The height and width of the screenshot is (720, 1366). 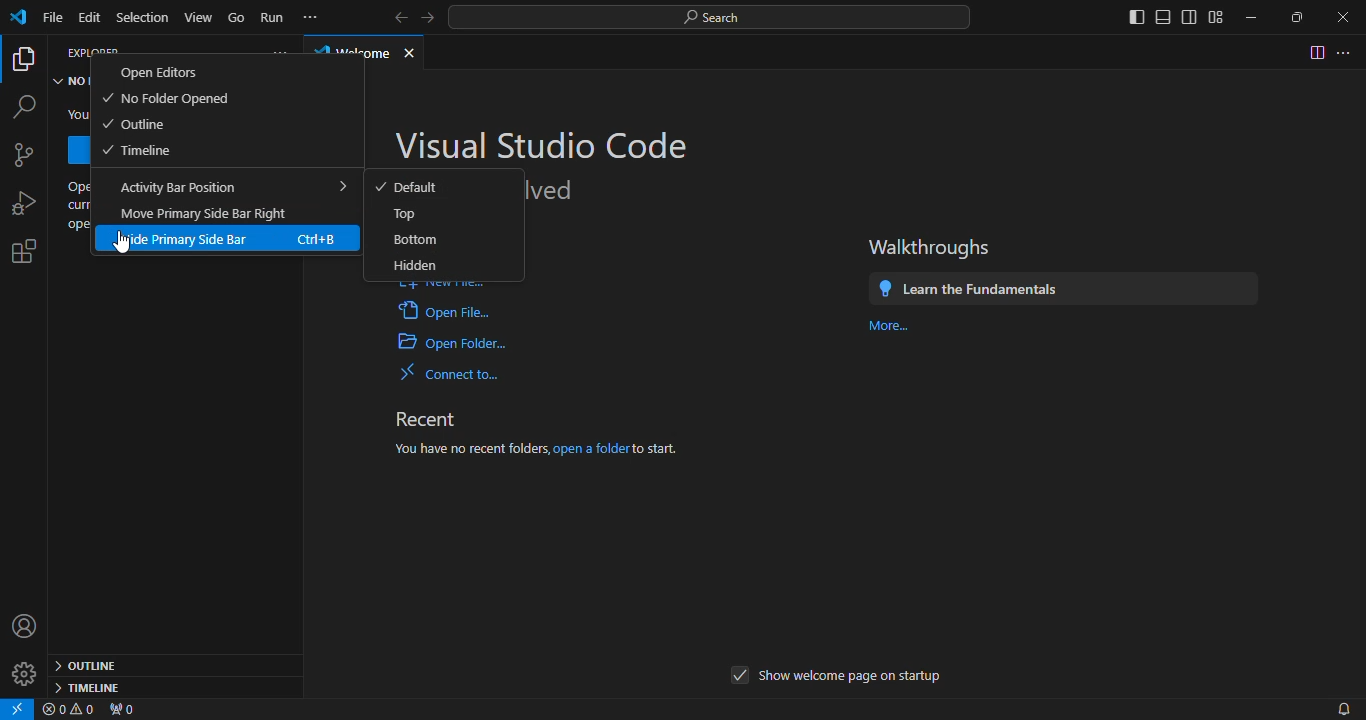 What do you see at coordinates (394, 15) in the screenshot?
I see `back` at bounding box center [394, 15].